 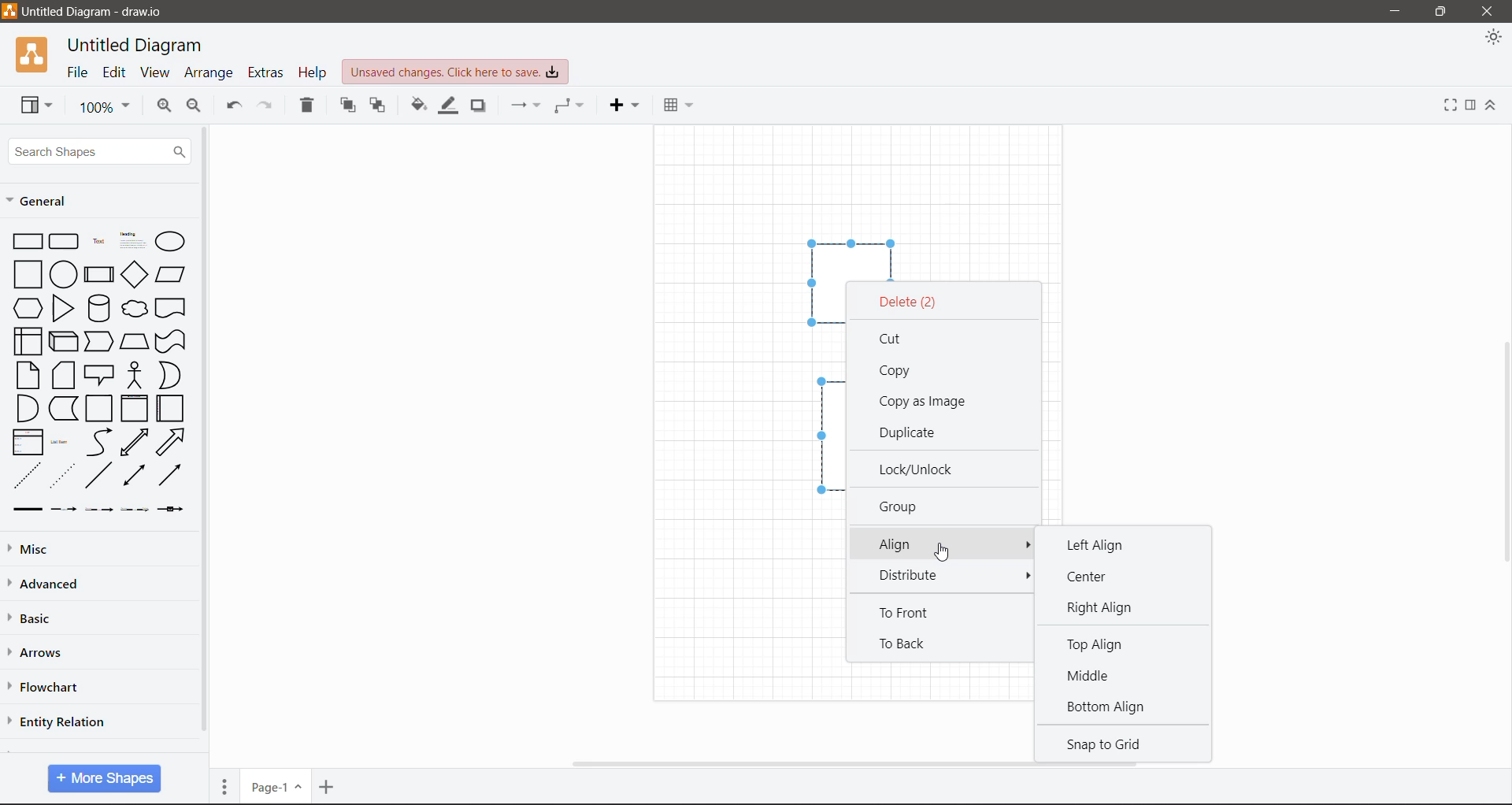 What do you see at coordinates (1106, 708) in the screenshot?
I see `Bottom Align` at bounding box center [1106, 708].